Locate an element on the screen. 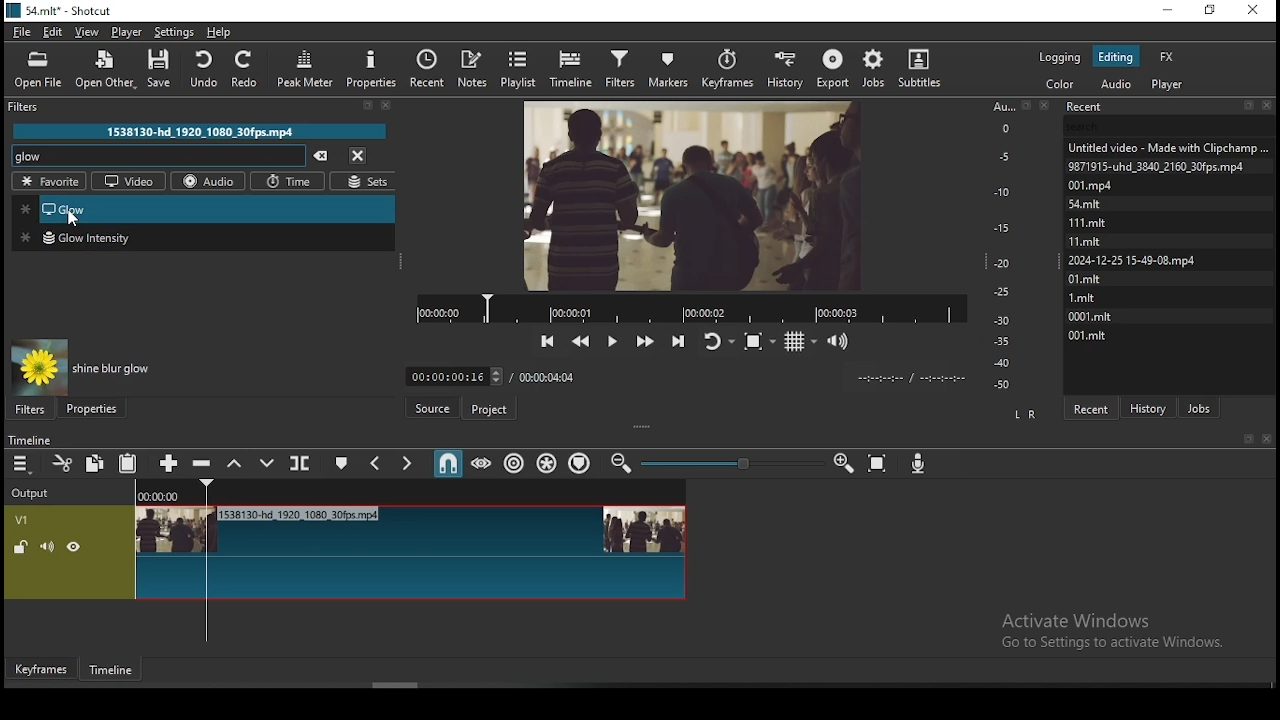  sets is located at coordinates (363, 182).